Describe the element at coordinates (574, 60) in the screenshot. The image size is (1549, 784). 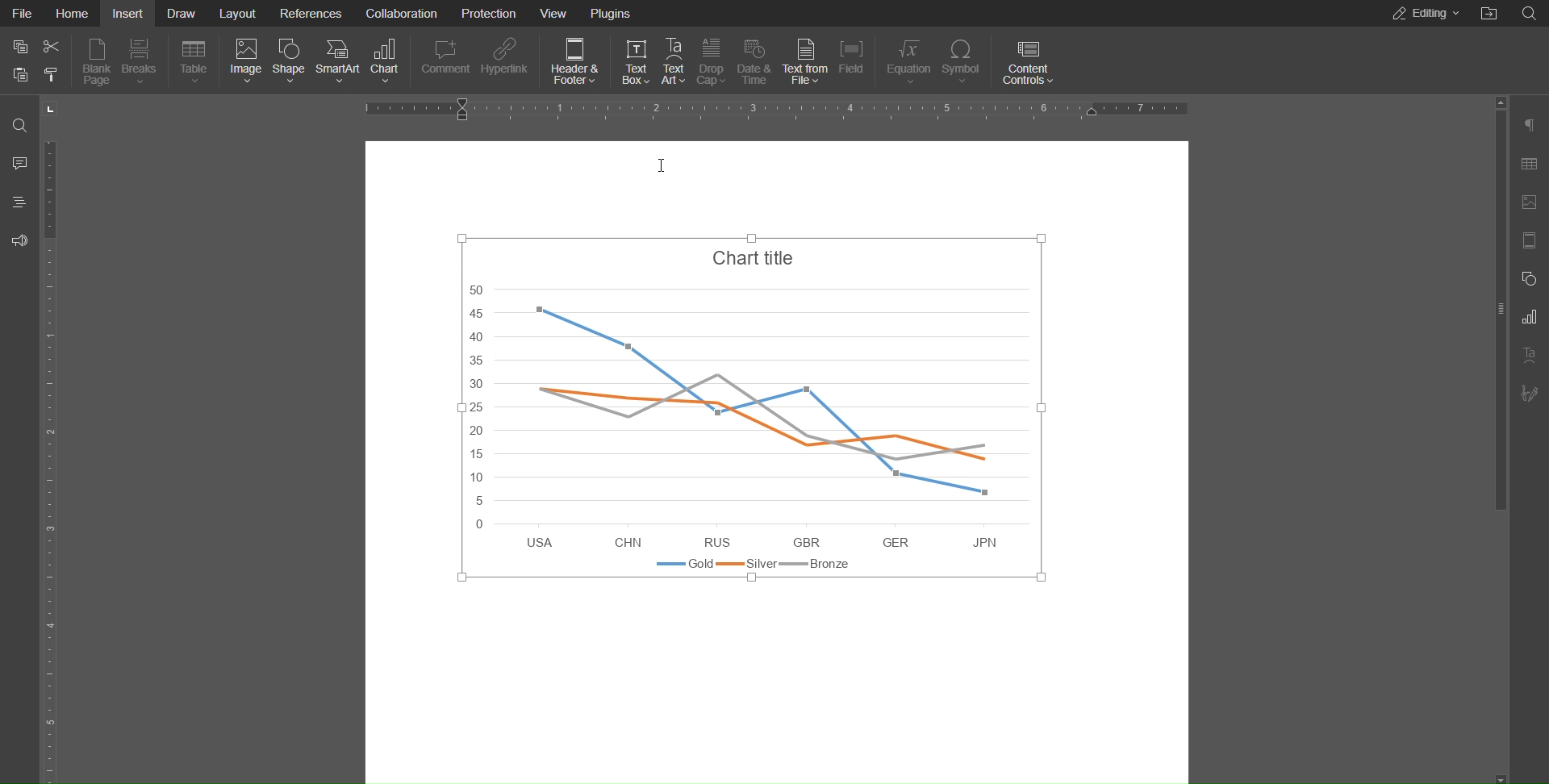
I see `Header and Footer` at that location.